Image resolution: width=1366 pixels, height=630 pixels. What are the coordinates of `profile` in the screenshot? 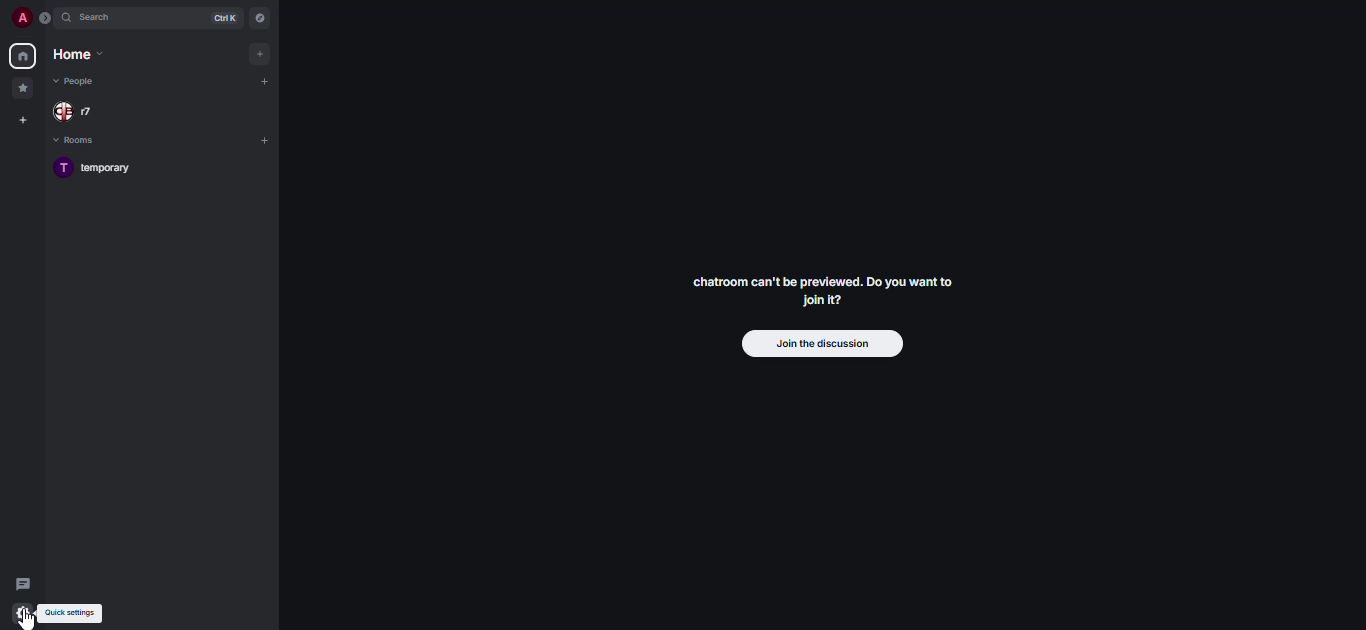 It's located at (22, 17).